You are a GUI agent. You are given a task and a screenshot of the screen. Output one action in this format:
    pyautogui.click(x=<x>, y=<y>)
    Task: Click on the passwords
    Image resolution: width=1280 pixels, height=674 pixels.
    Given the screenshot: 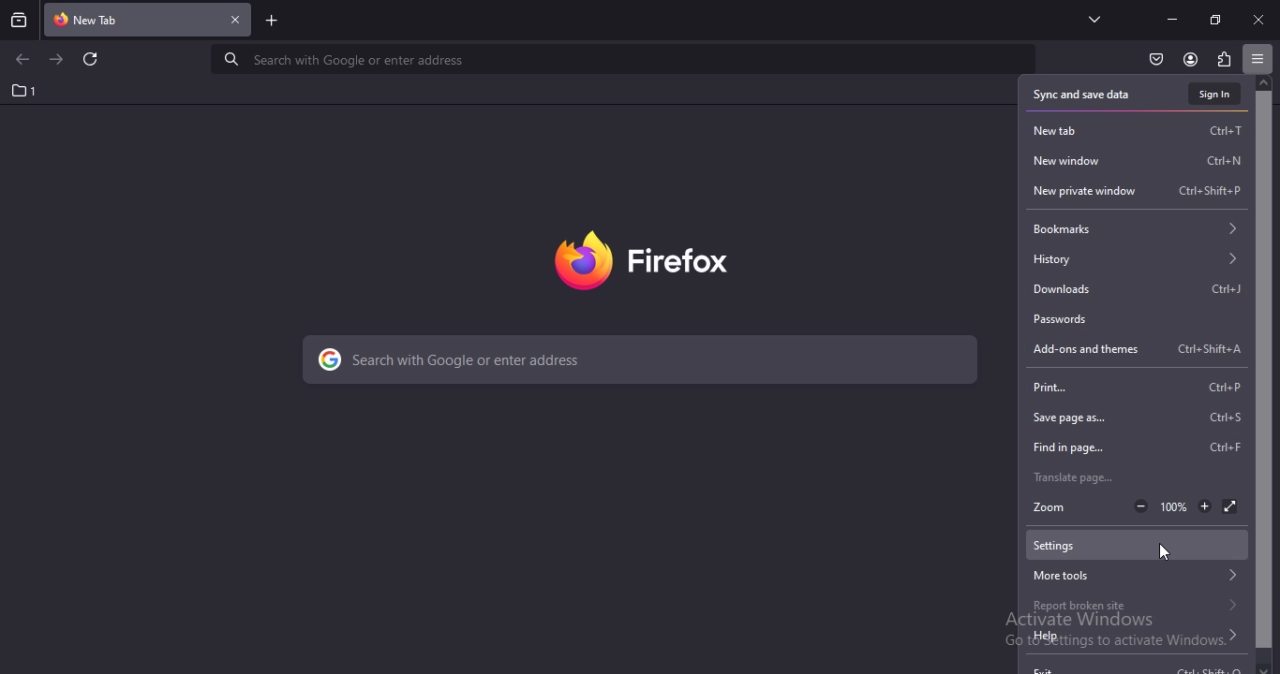 What is the action you would take?
    pyautogui.click(x=1134, y=318)
    